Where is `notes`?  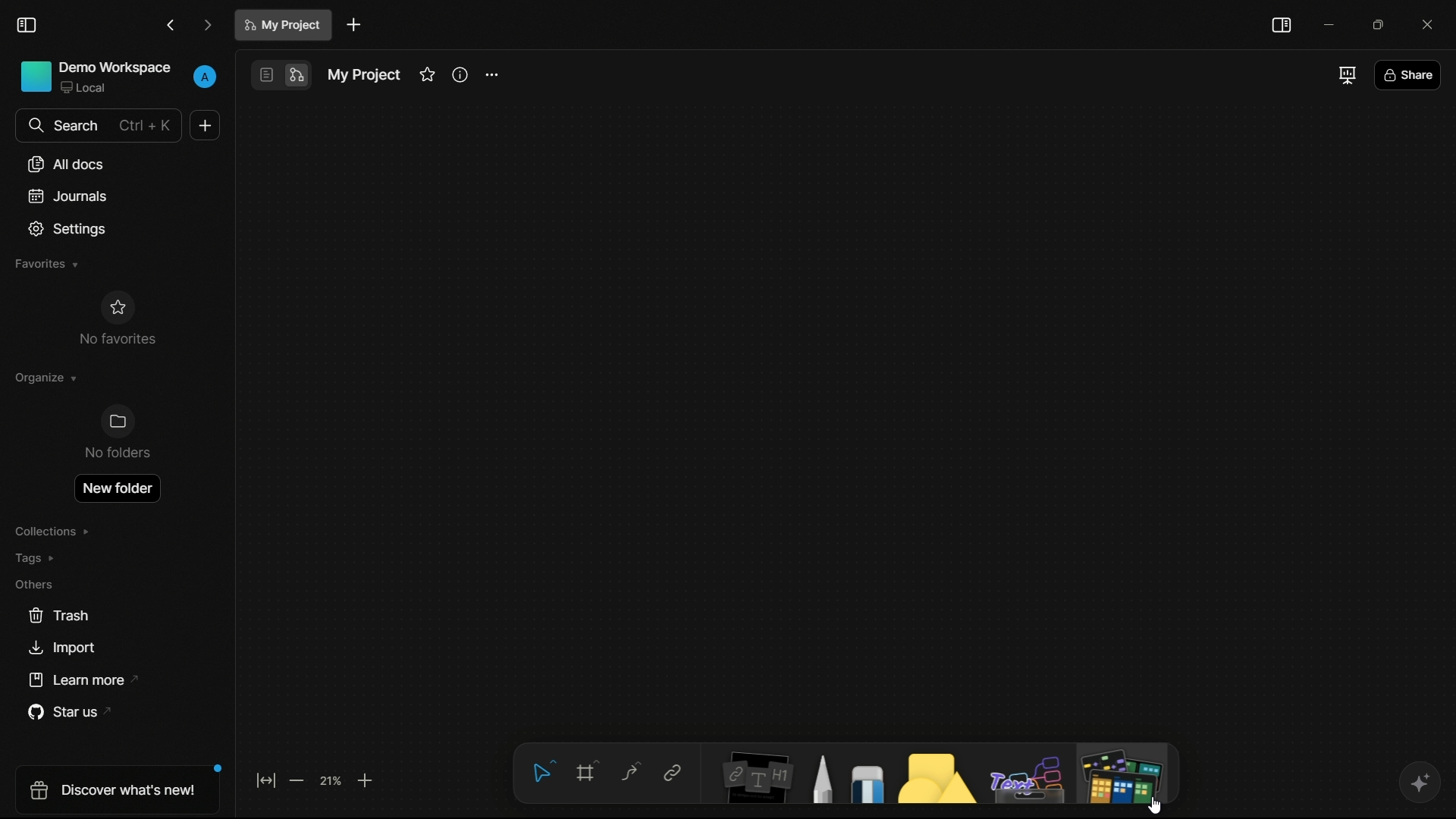 notes is located at coordinates (753, 780).